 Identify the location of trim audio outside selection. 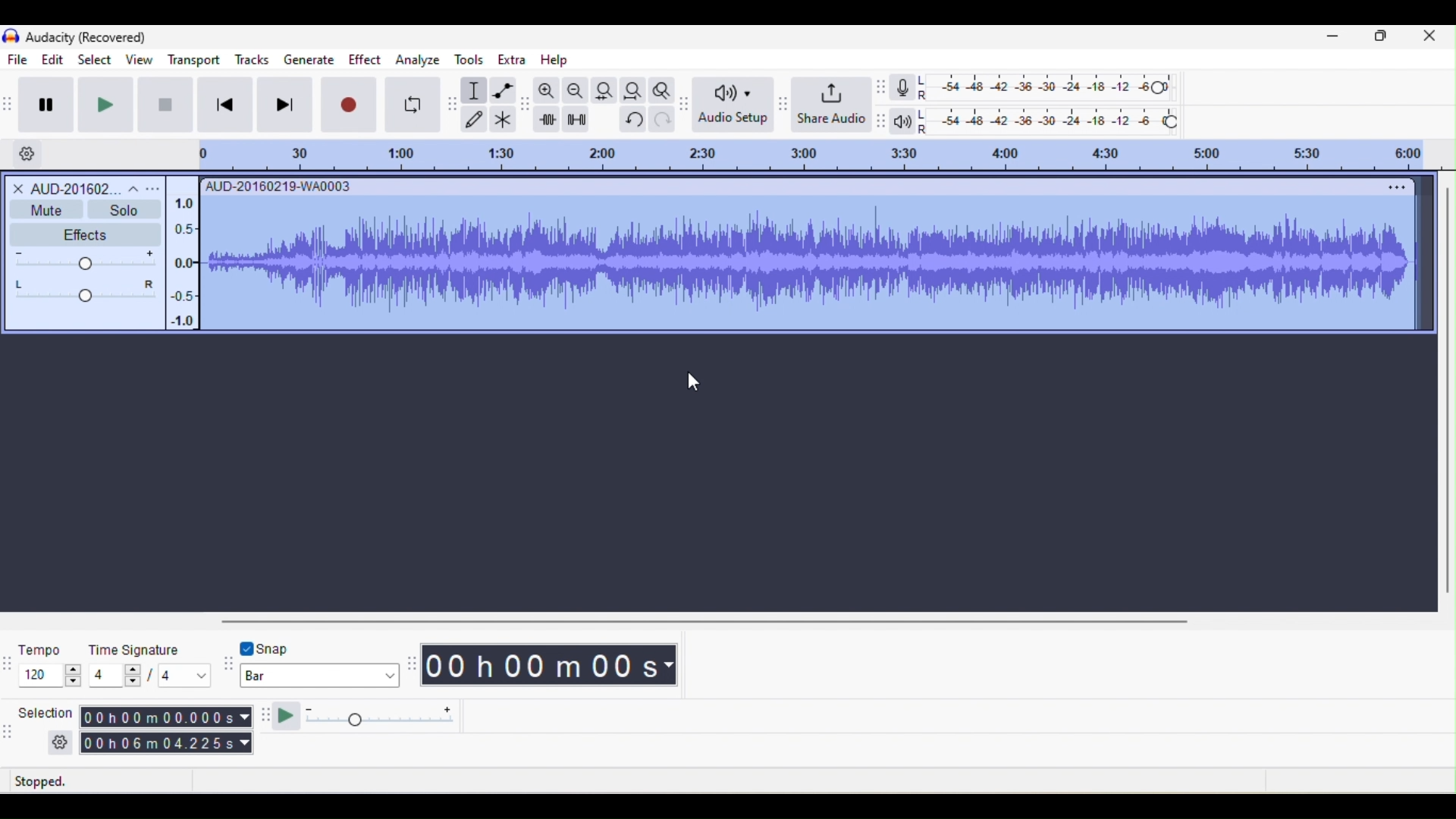
(548, 119).